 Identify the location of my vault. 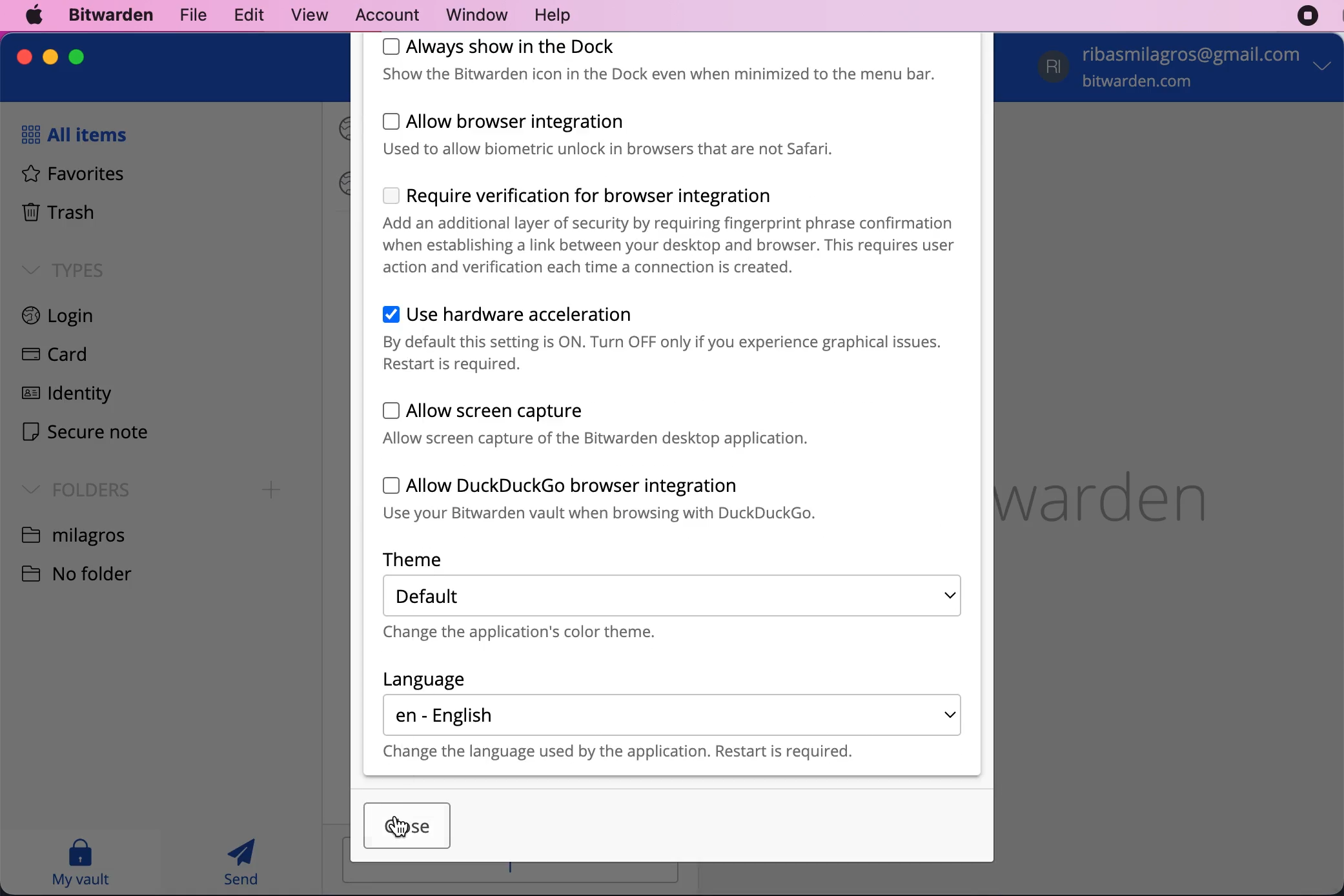
(80, 862).